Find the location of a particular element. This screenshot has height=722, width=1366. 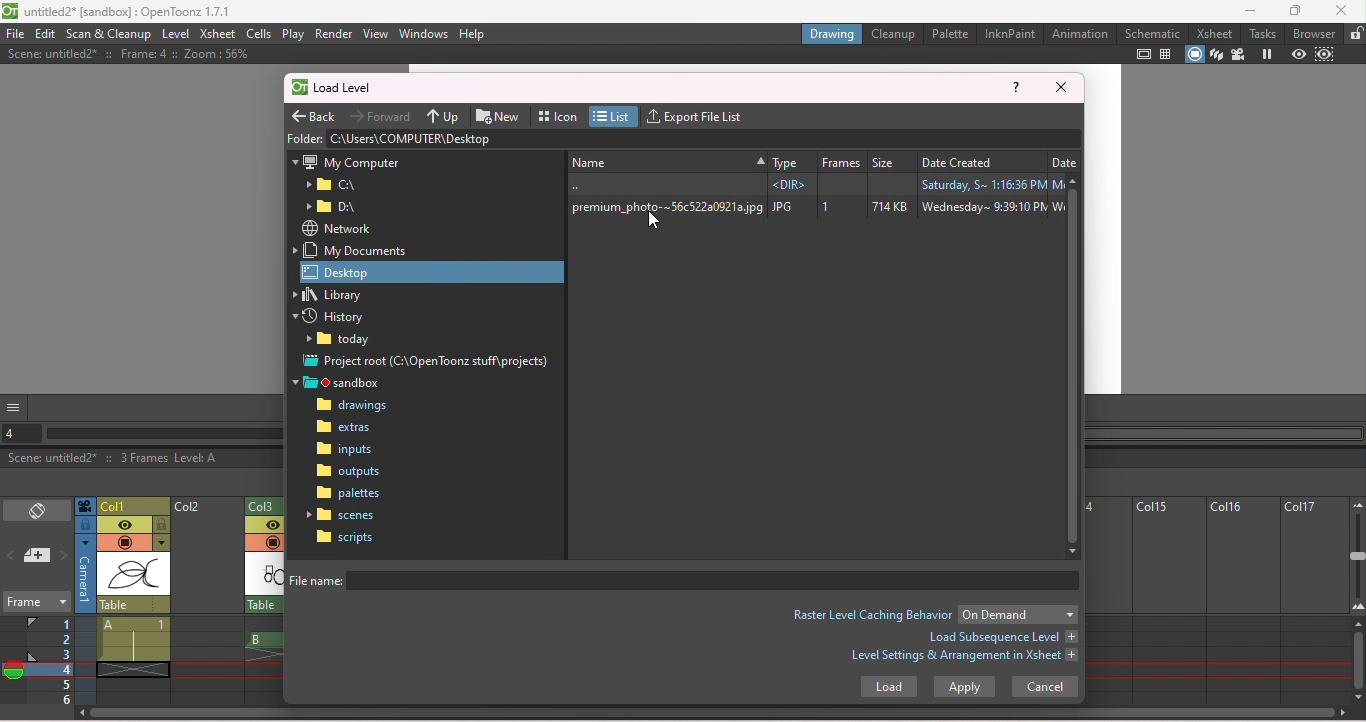

Scenes is located at coordinates (345, 514).